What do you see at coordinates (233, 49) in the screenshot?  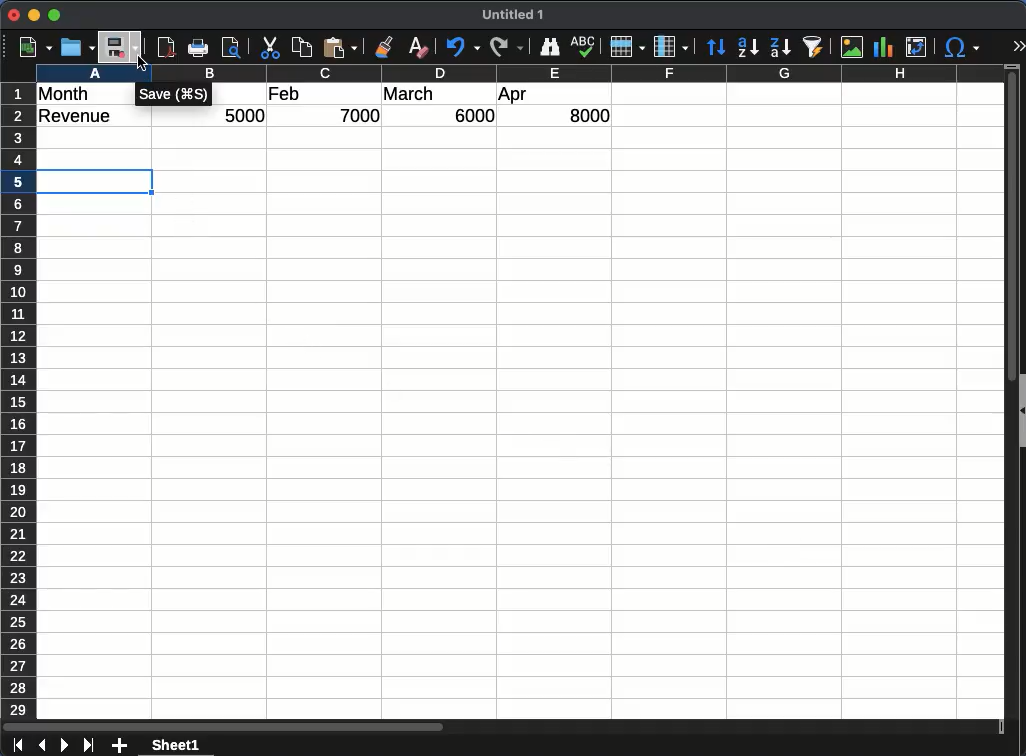 I see `print preview` at bounding box center [233, 49].